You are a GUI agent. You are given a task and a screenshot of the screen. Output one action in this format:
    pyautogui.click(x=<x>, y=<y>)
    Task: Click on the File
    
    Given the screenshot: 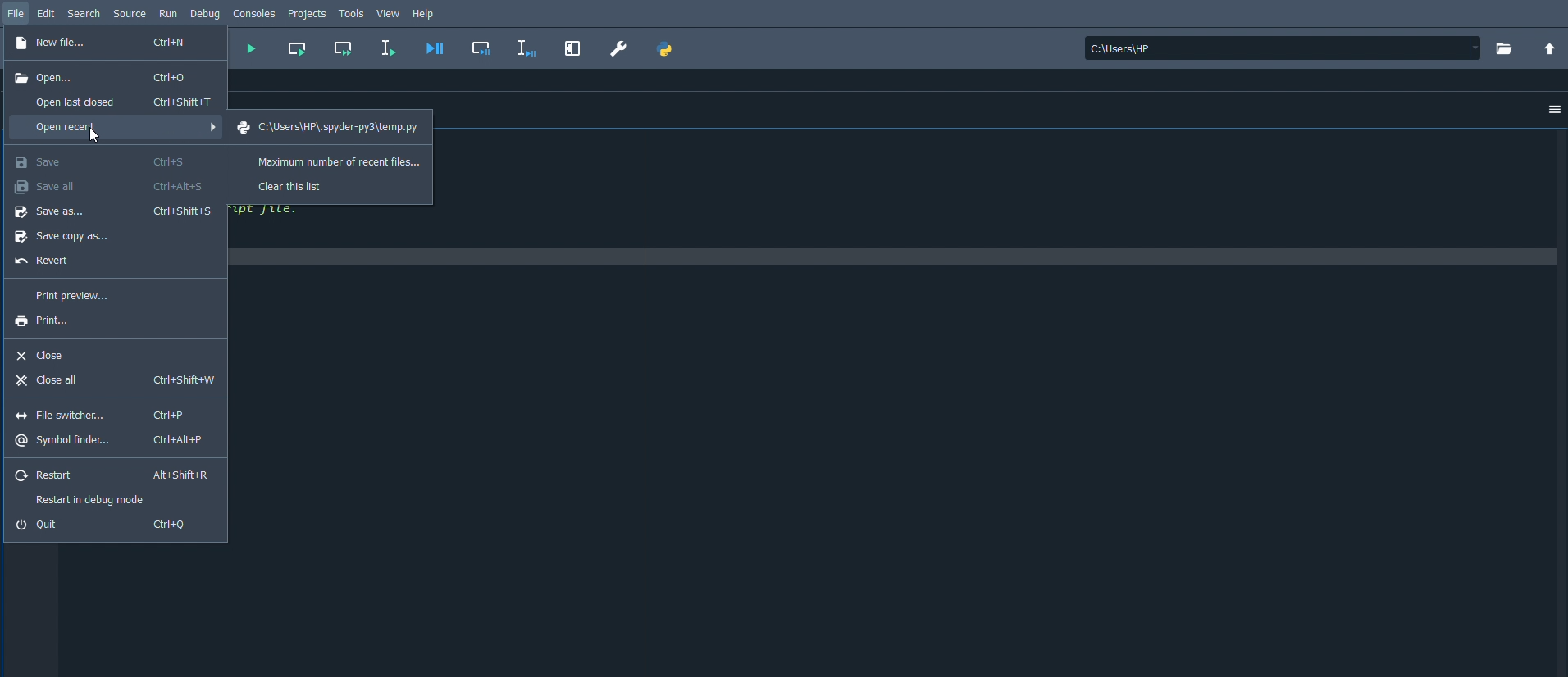 What is the action you would take?
    pyautogui.click(x=16, y=12)
    